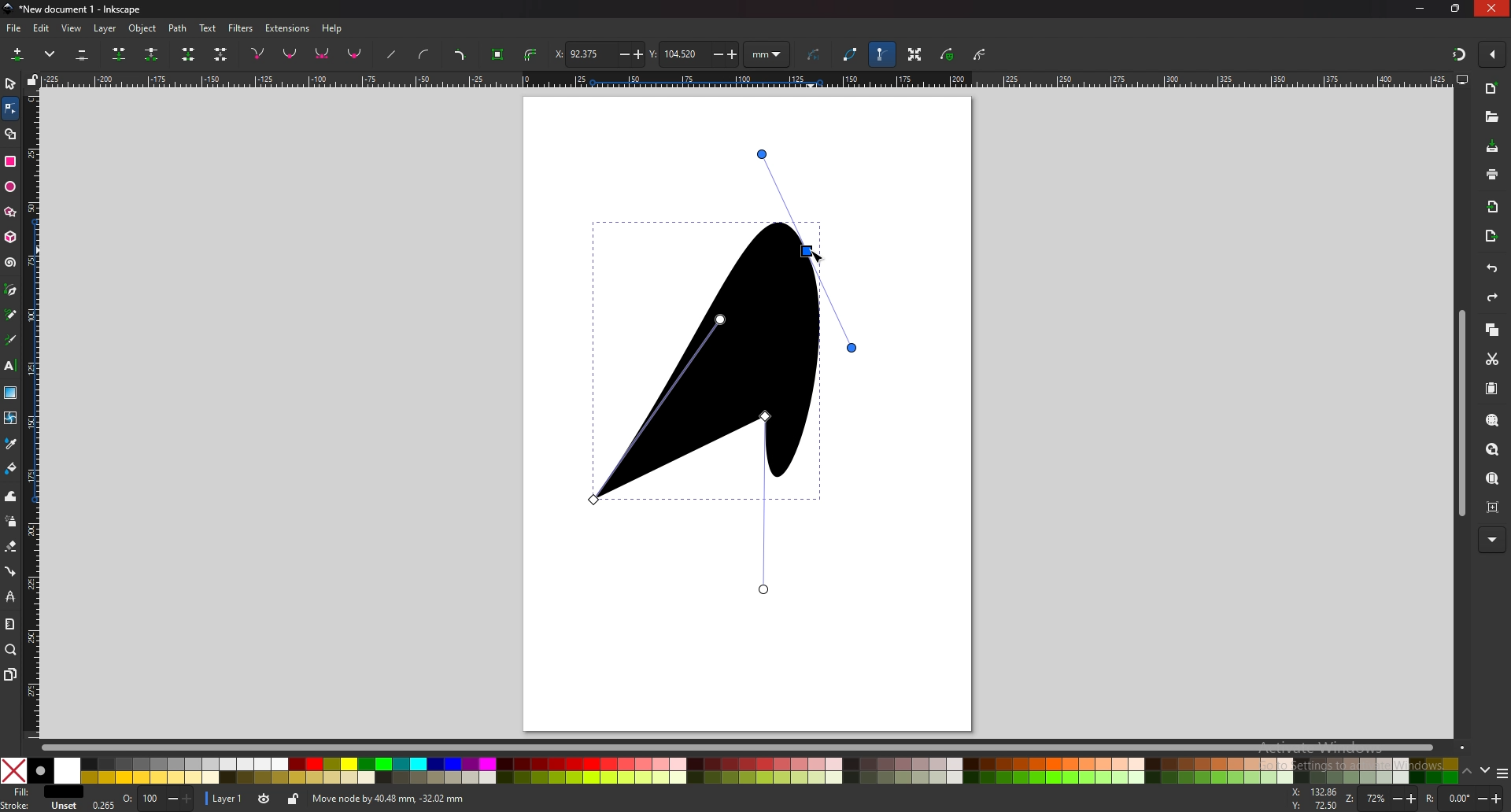  I want to click on selector, so click(10, 83).